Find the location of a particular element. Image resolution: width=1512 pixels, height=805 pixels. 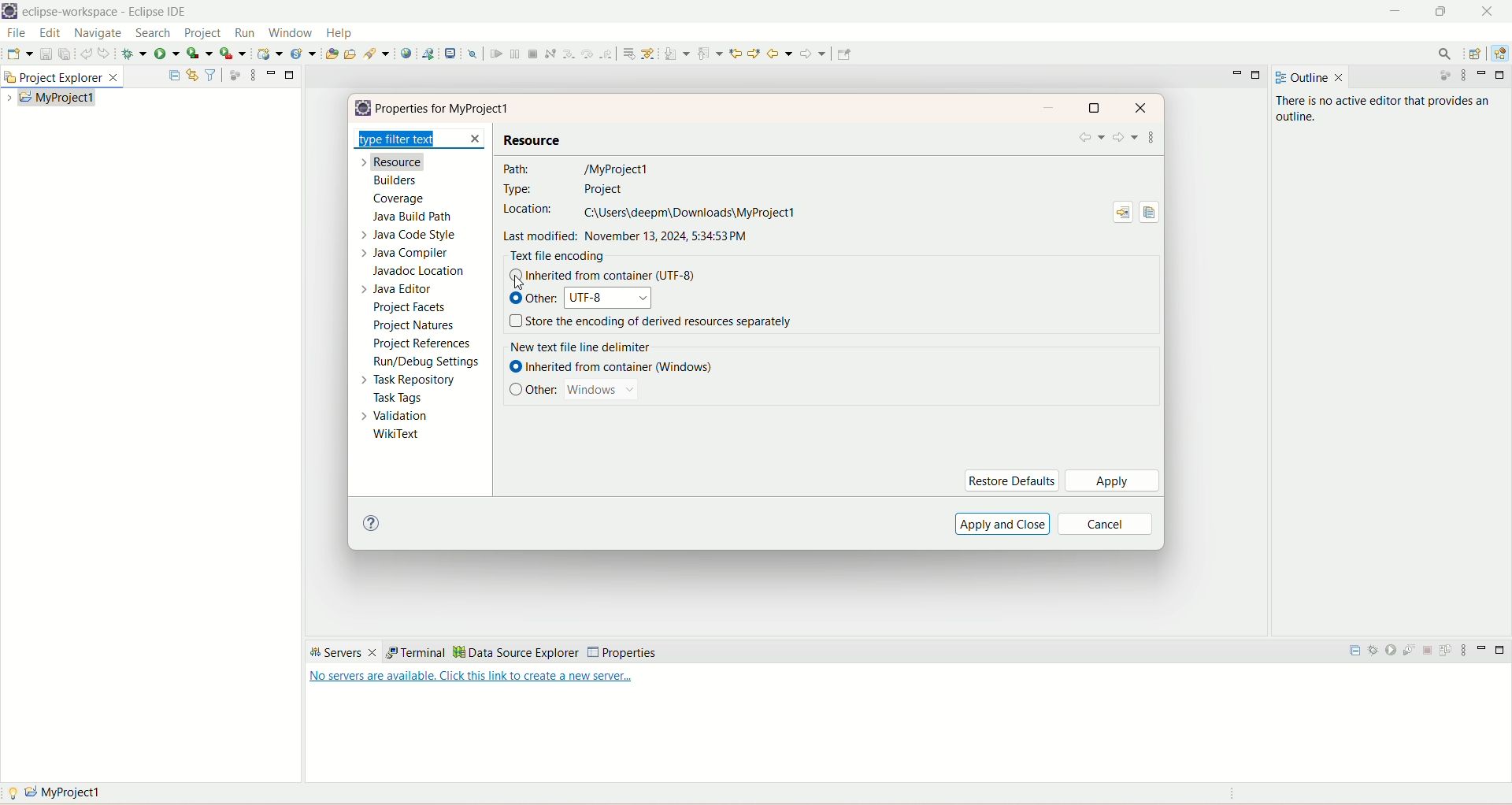

link with editor is located at coordinates (192, 73).